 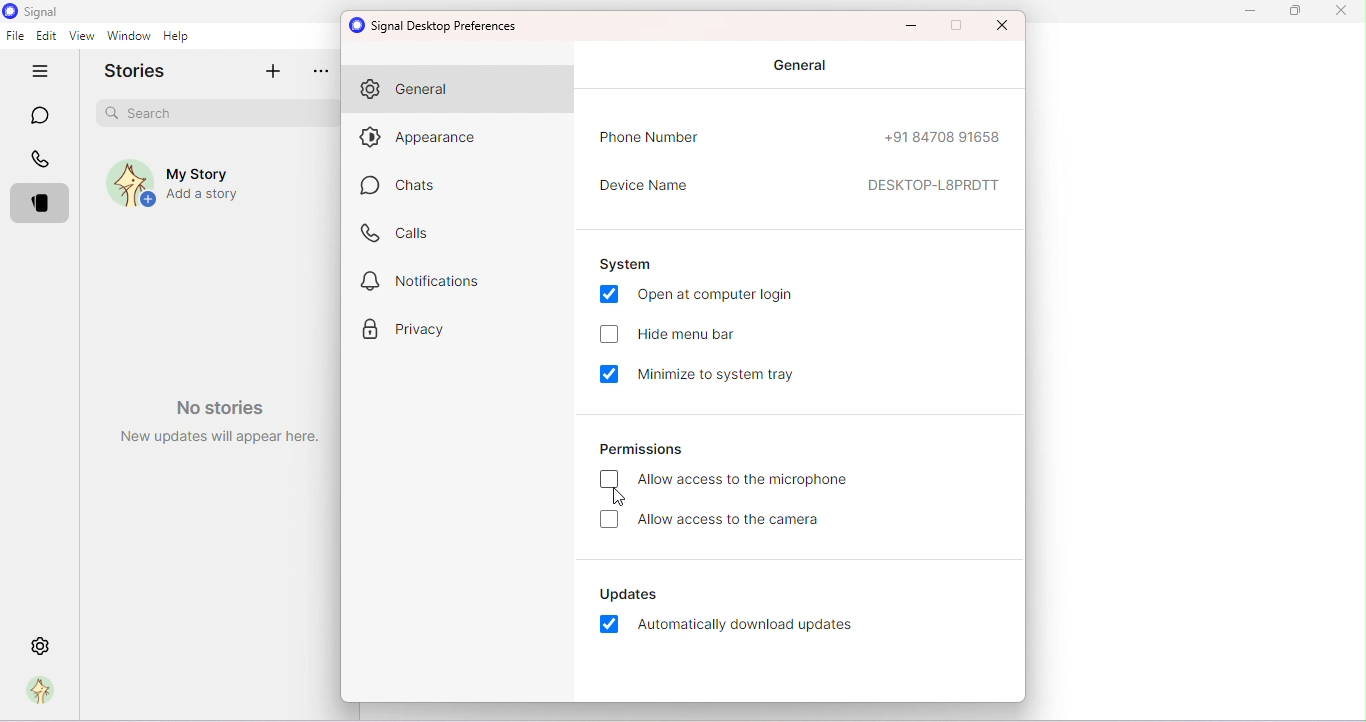 What do you see at coordinates (42, 118) in the screenshot?
I see `Chats` at bounding box center [42, 118].